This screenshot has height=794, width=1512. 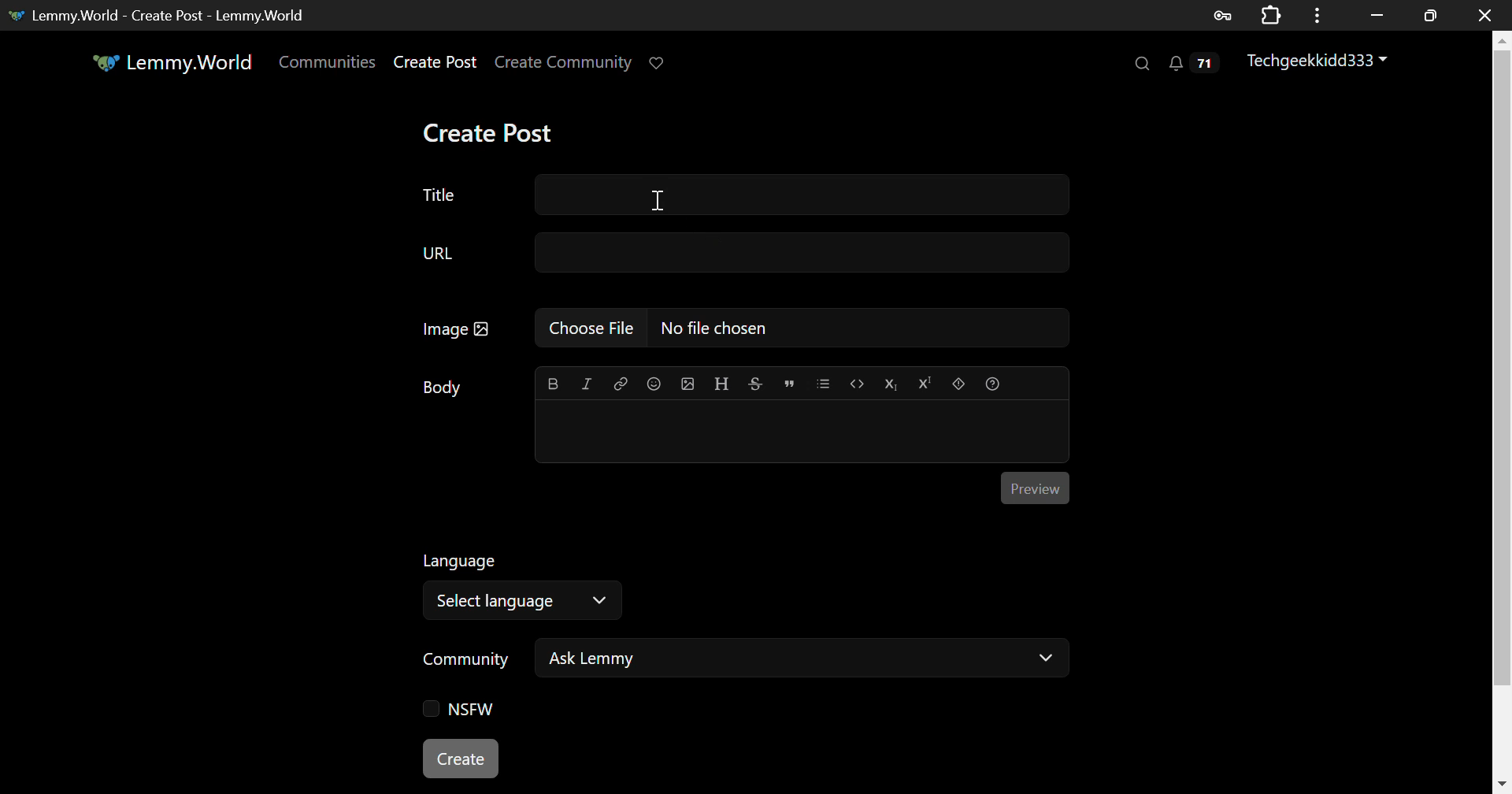 What do you see at coordinates (1378, 15) in the screenshot?
I see `Restore Down` at bounding box center [1378, 15].